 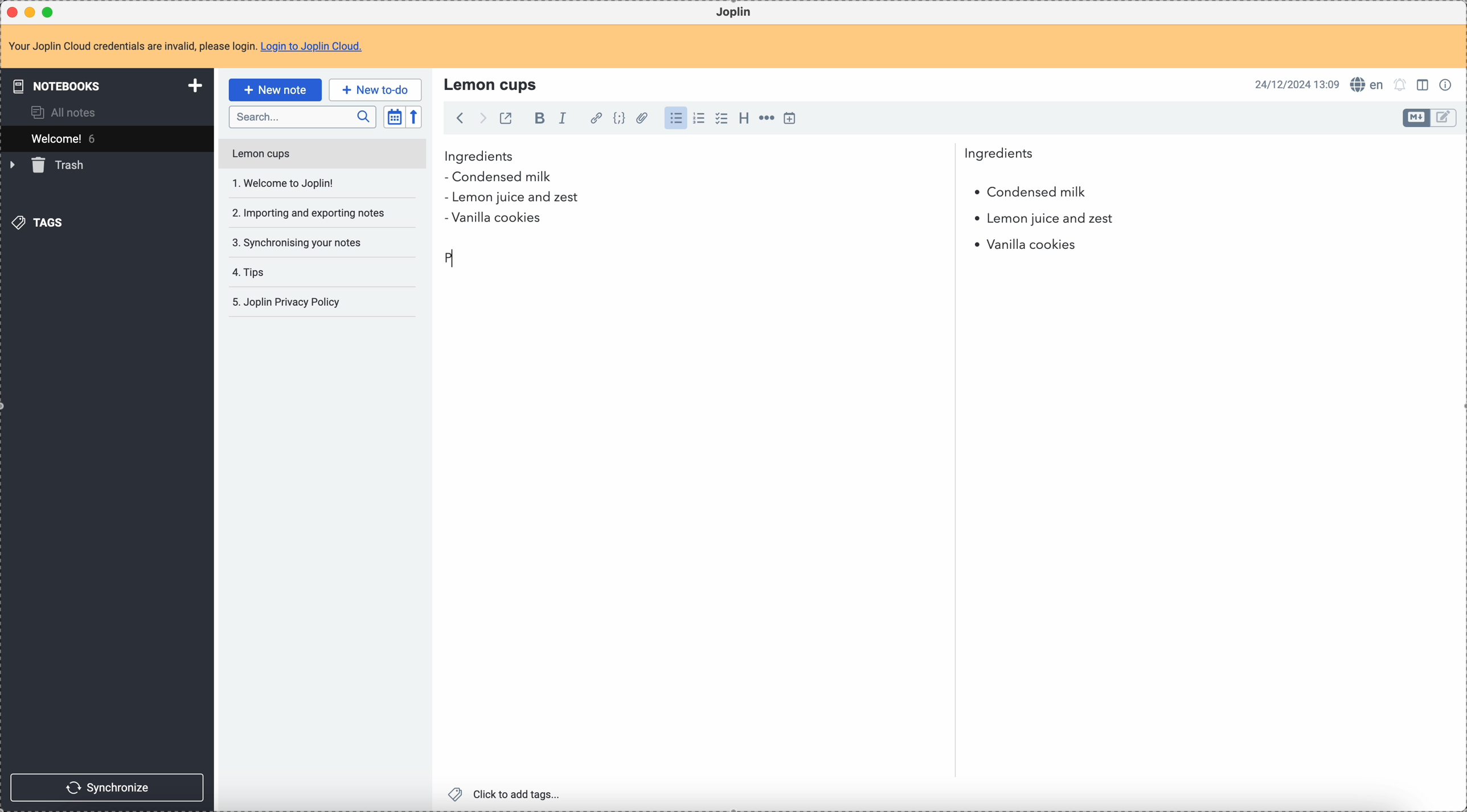 What do you see at coordinates (1297, 84) in the screenshot?
I see `date and hour` at bounding box center [1297, 84].